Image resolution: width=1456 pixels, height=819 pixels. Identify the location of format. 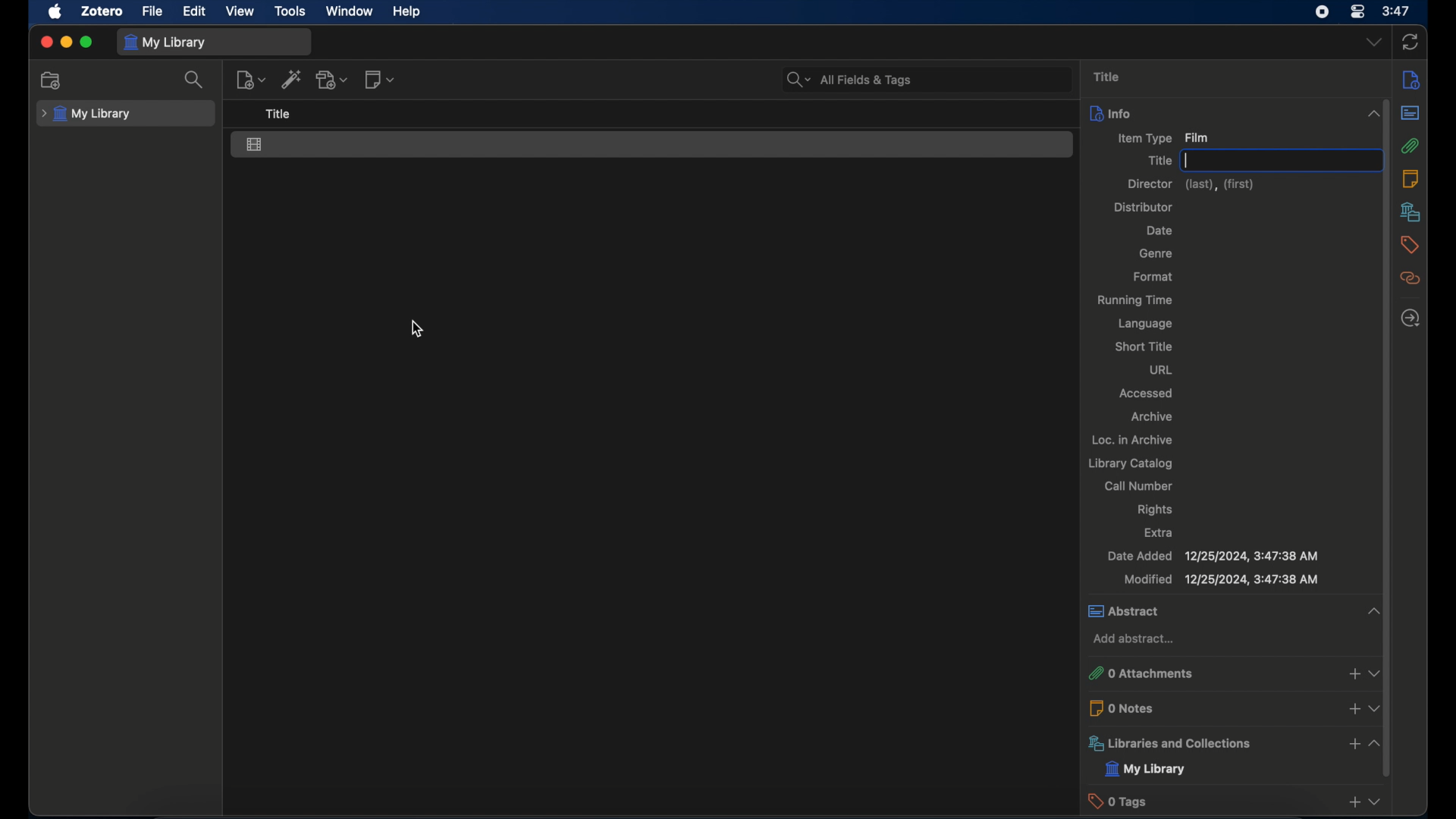
(1152, 276).